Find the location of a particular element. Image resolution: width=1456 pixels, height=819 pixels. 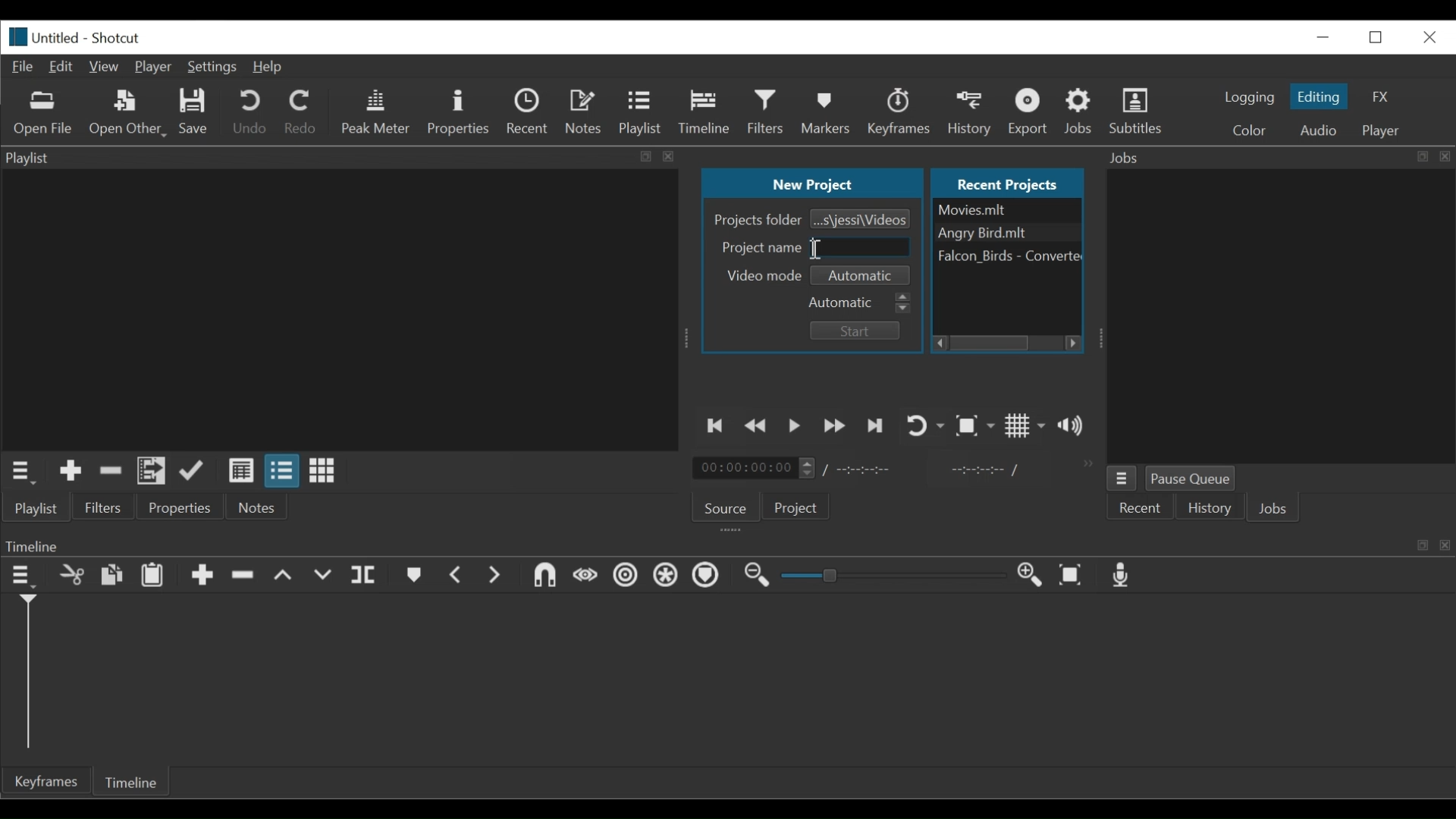

Projects is located at coordinates (798, 505).